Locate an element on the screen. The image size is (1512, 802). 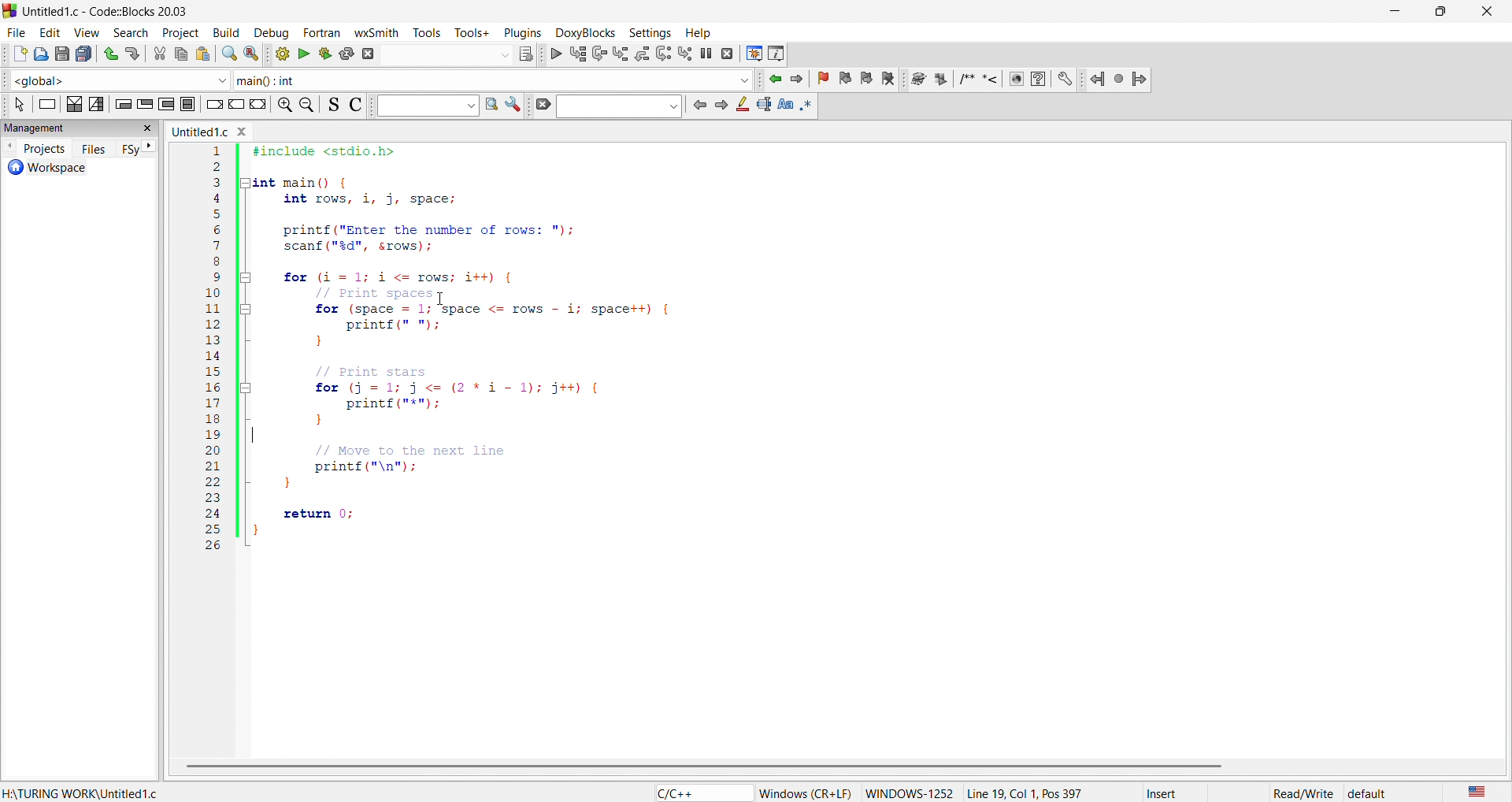
projects tab is located at coordinates (35, 147).